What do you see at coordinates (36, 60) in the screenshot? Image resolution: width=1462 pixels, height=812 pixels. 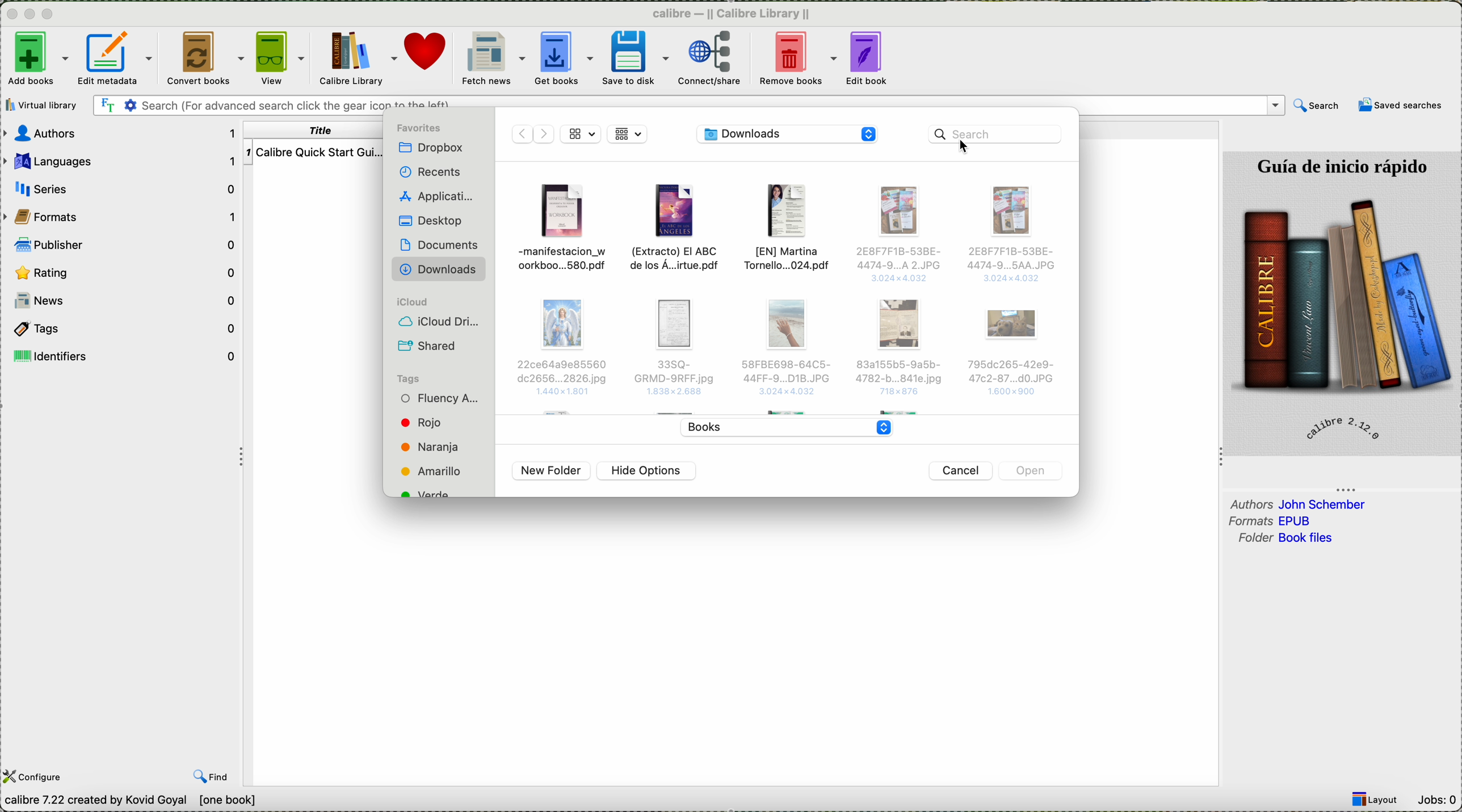 I see `click on add books` at bounding box center [36, 60].